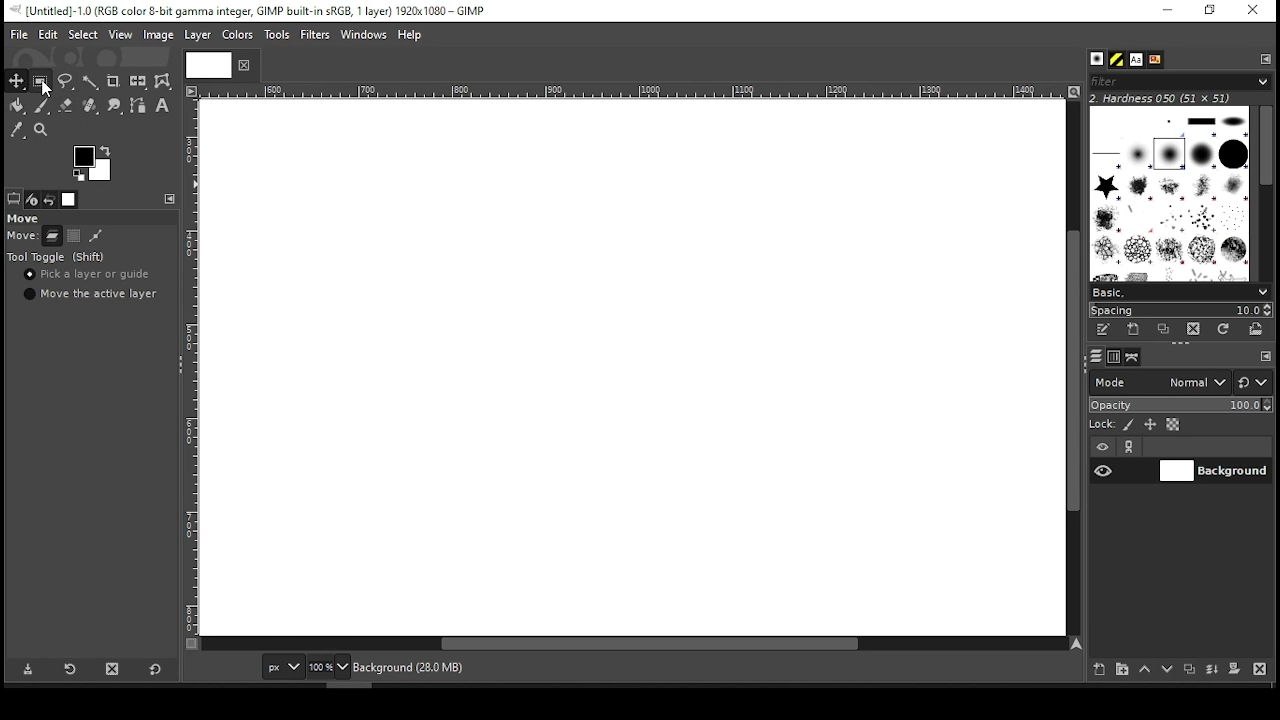 The image size is (1280, 720). I want to click on free selection tool, so click(68, 82).